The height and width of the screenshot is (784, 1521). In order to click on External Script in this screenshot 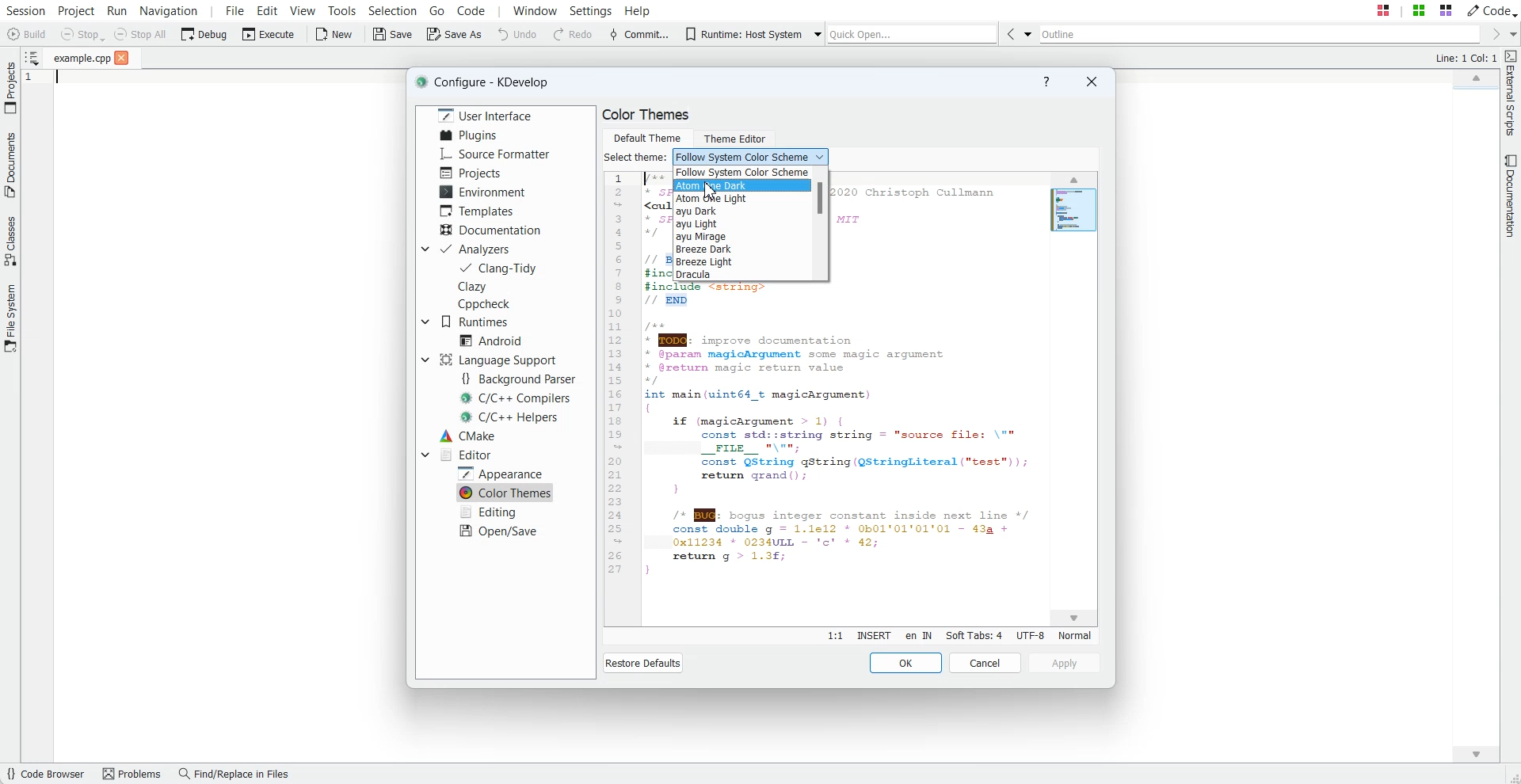, I will do `click(1511, 94)`.